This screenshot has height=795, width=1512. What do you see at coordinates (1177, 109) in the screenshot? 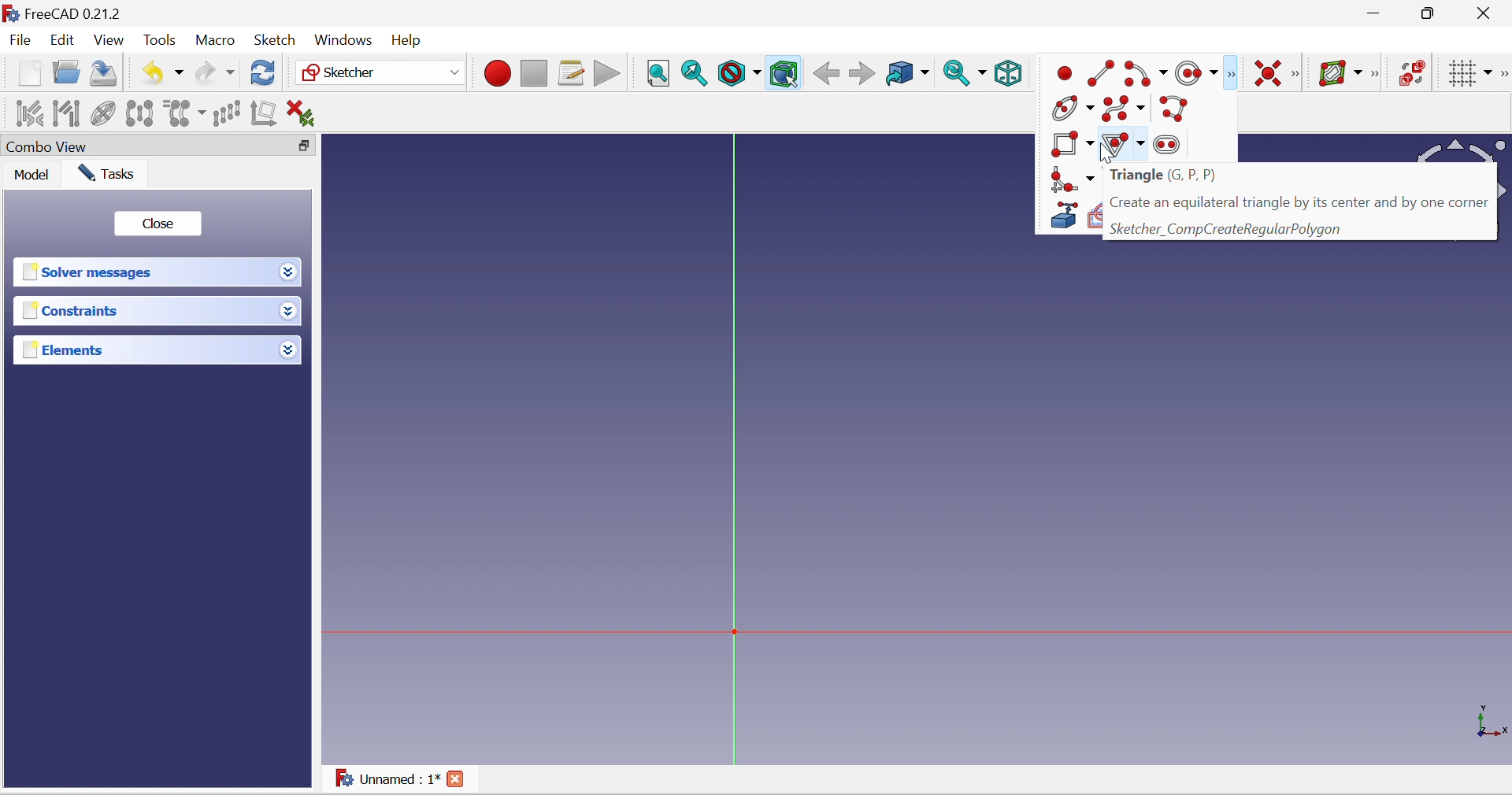
I see `Create poly line` at bounding box center [1177, 109].